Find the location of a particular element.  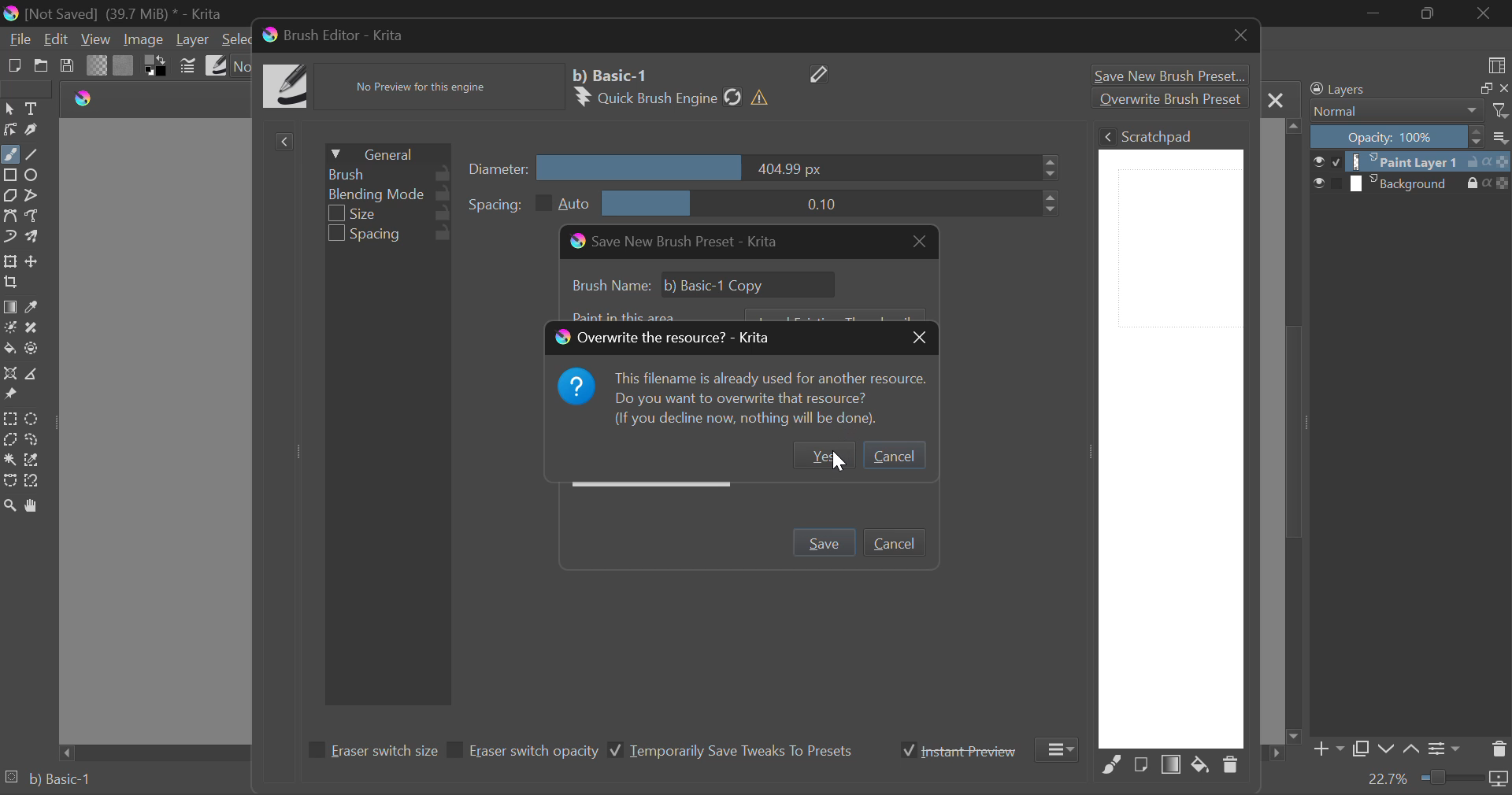

Fill Gradient is located at coordinates (11, 307).